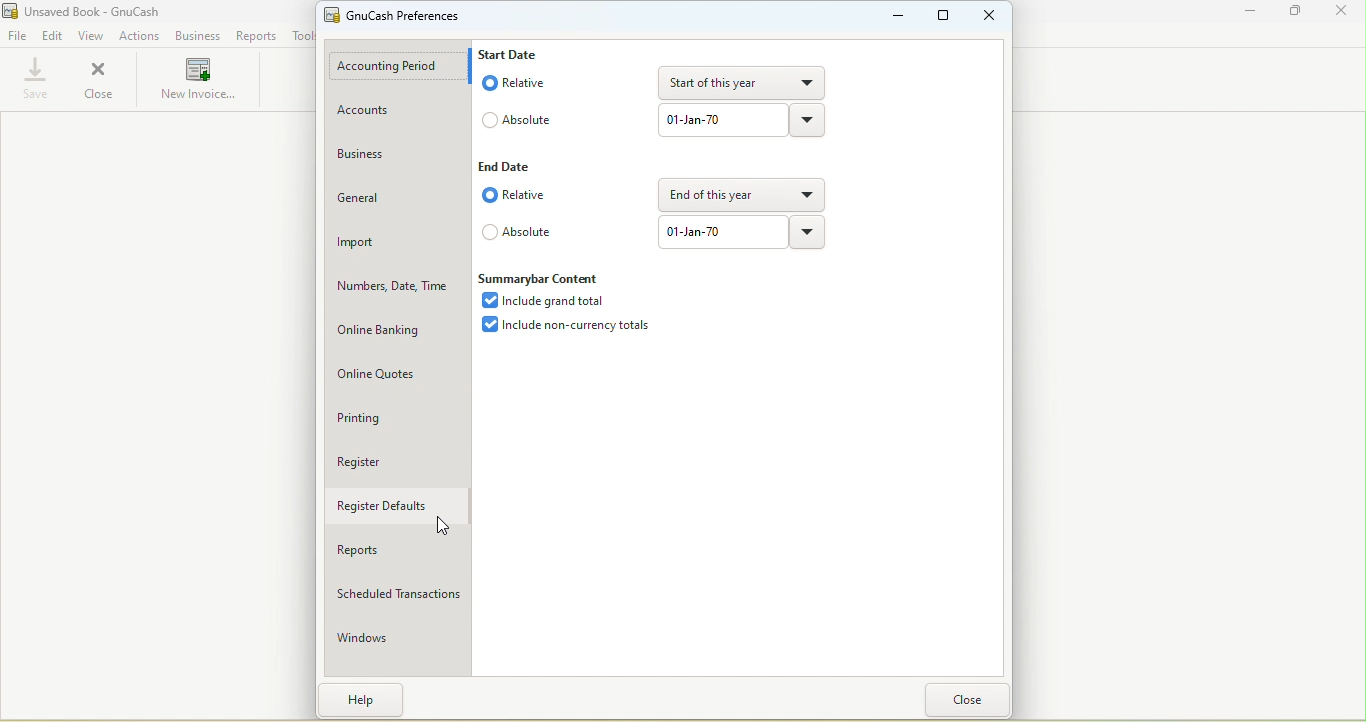  I want to click on Scheduled transactions, so click(396, 598).